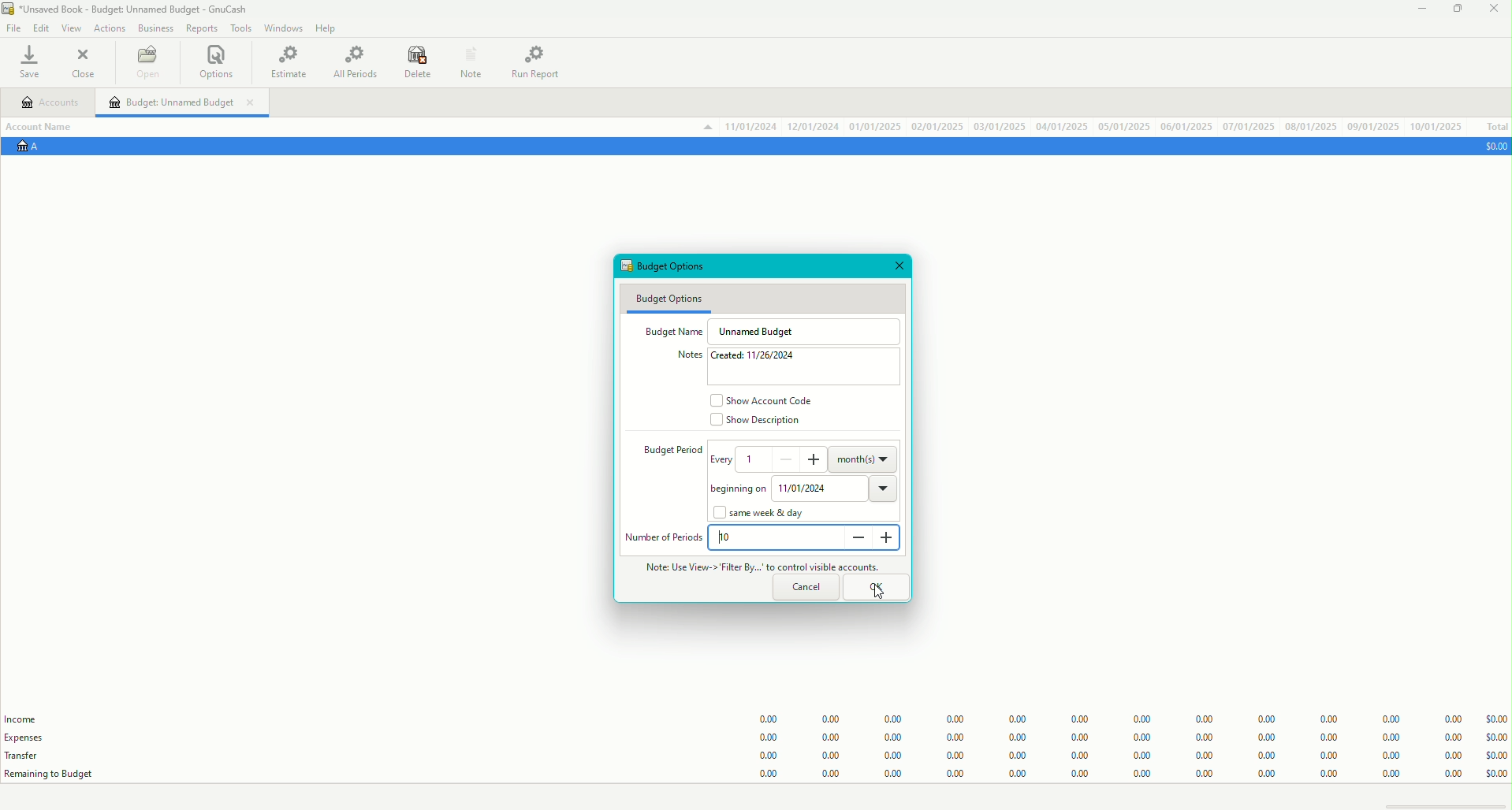 This screenshot has width=1512, height=810. What do you see at coordinates (46, 125) in the screenshot?
I see `Account Name` at bounding box center [46, 125].